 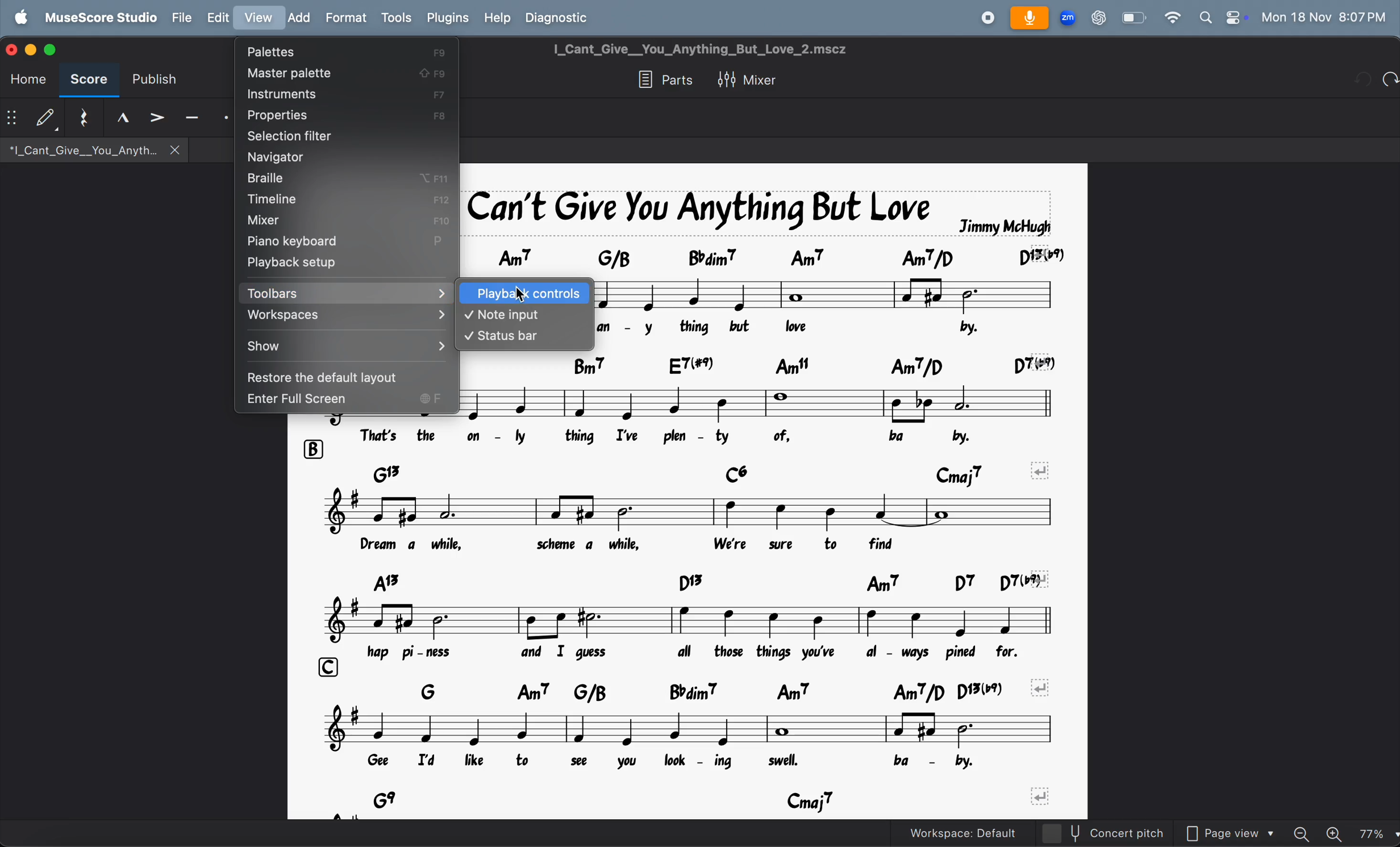 I want to click on publish, so click(x=153, y=77).